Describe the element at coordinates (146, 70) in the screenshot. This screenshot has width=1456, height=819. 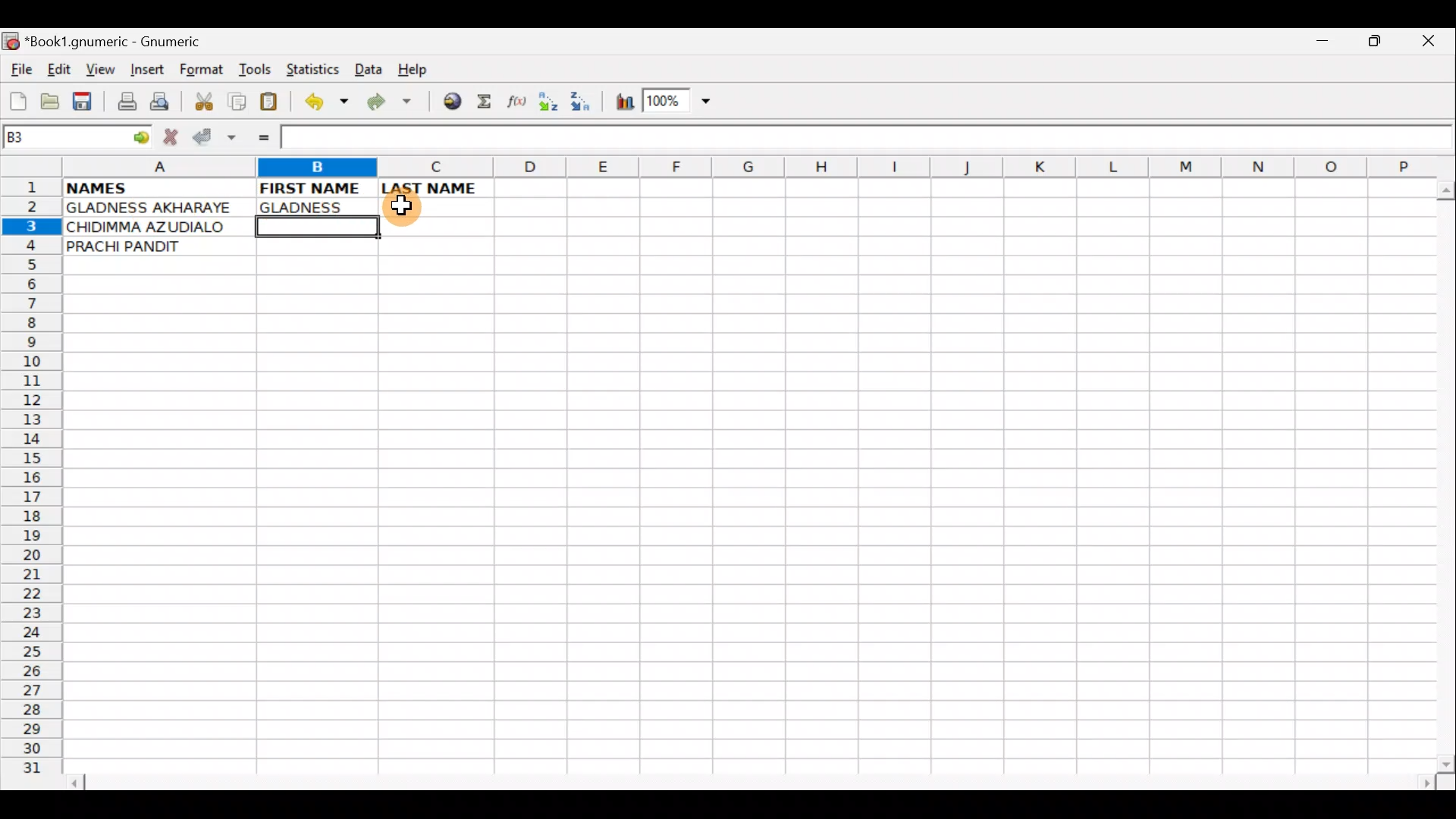
I see `Insert` at that location.